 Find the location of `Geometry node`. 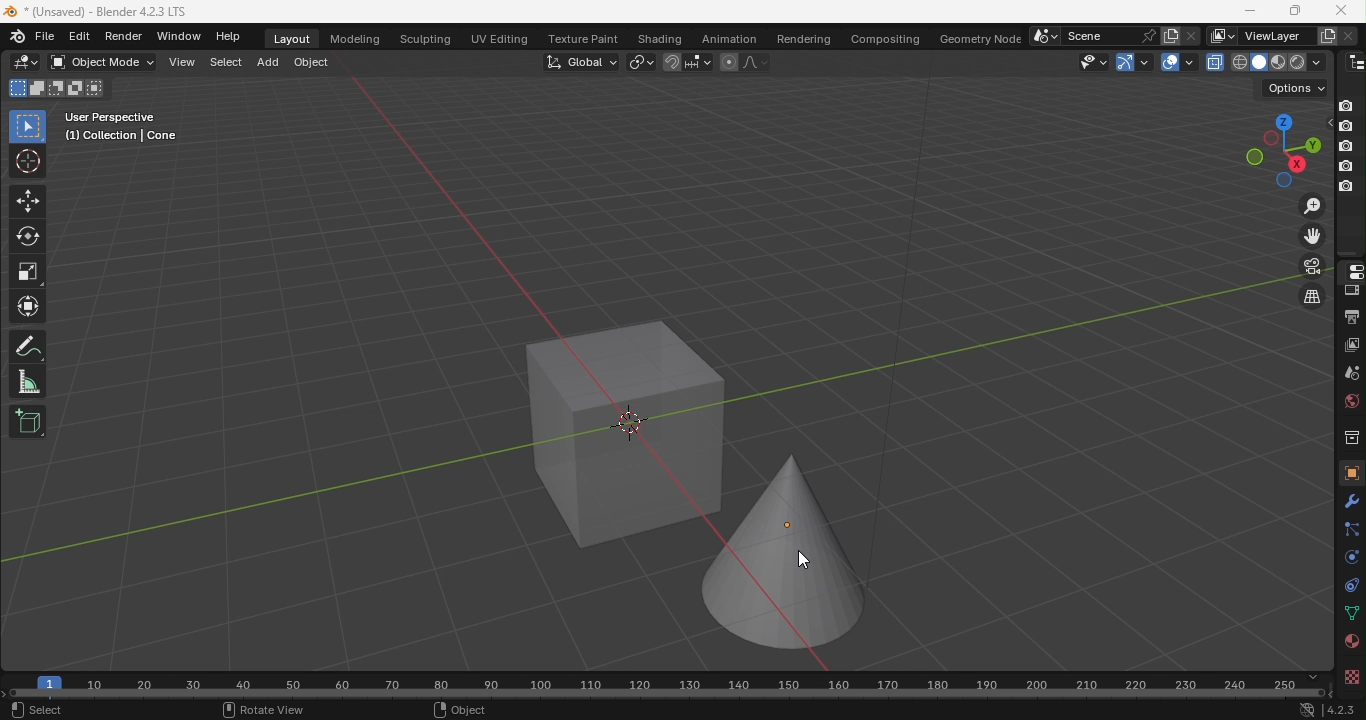

Geometry node is located at coordinates (982, 36).